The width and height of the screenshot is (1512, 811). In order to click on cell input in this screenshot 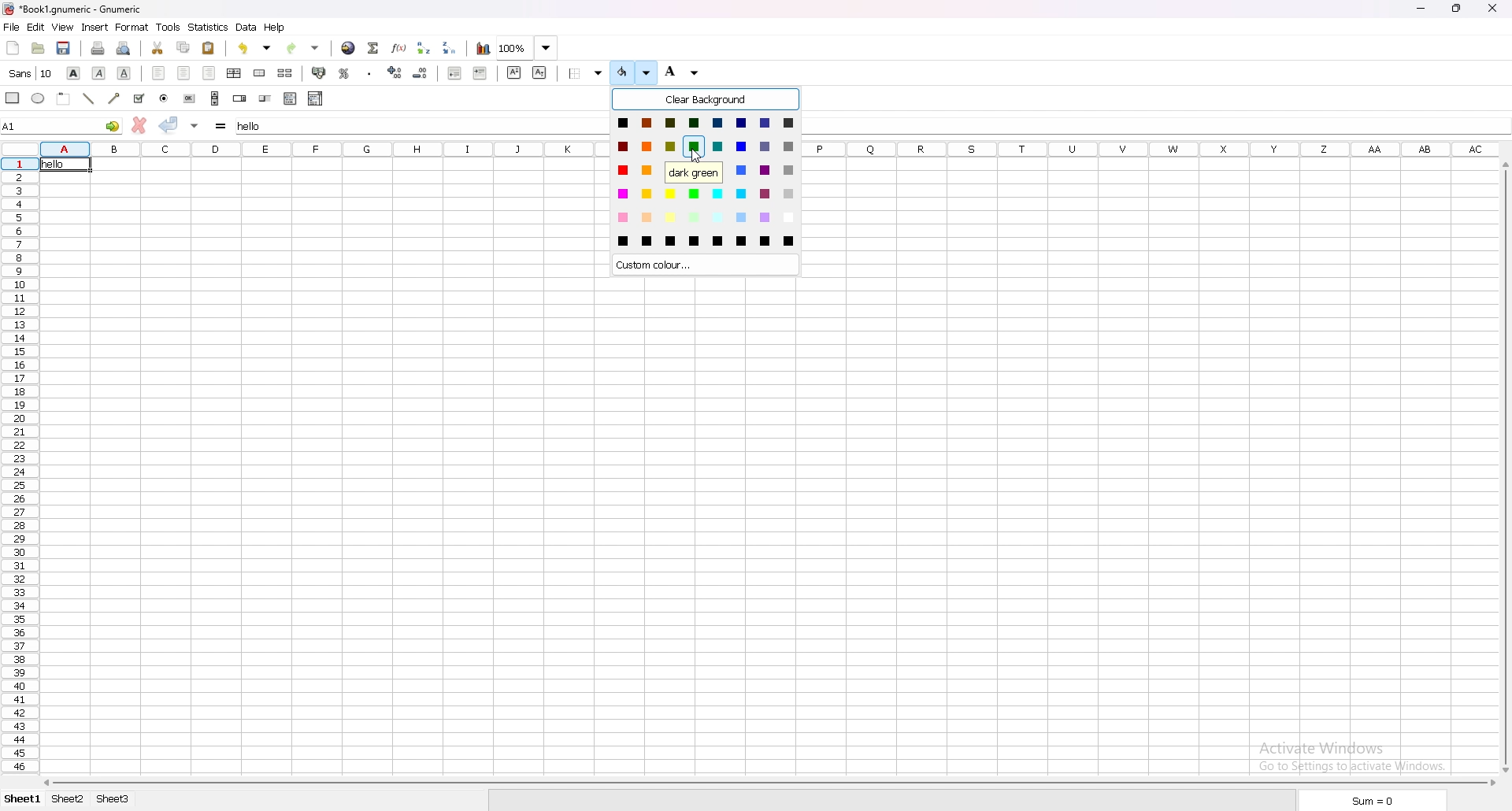, I will do `click(1156, 124)`.